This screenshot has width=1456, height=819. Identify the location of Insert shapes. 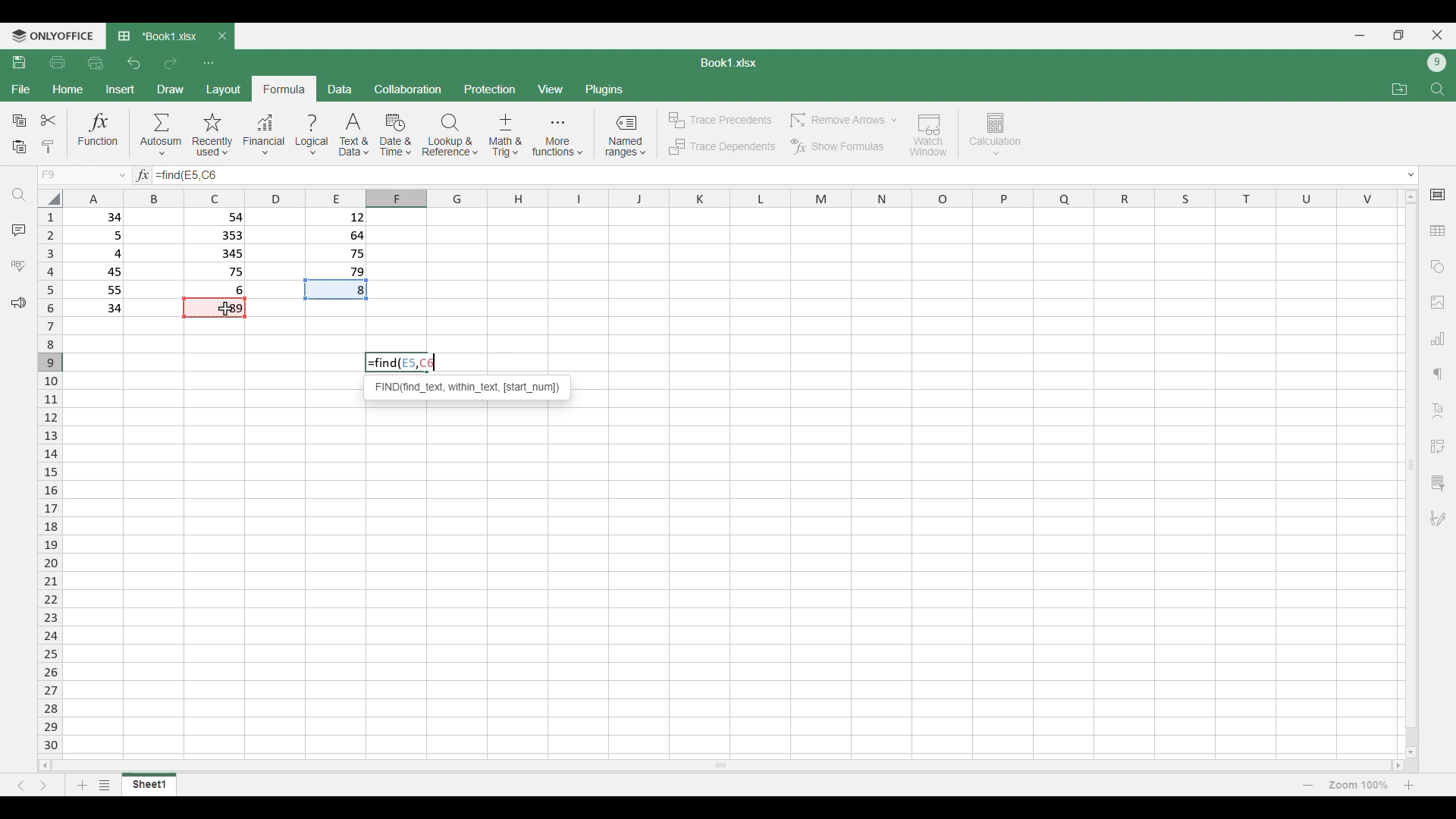
(1438, 267).